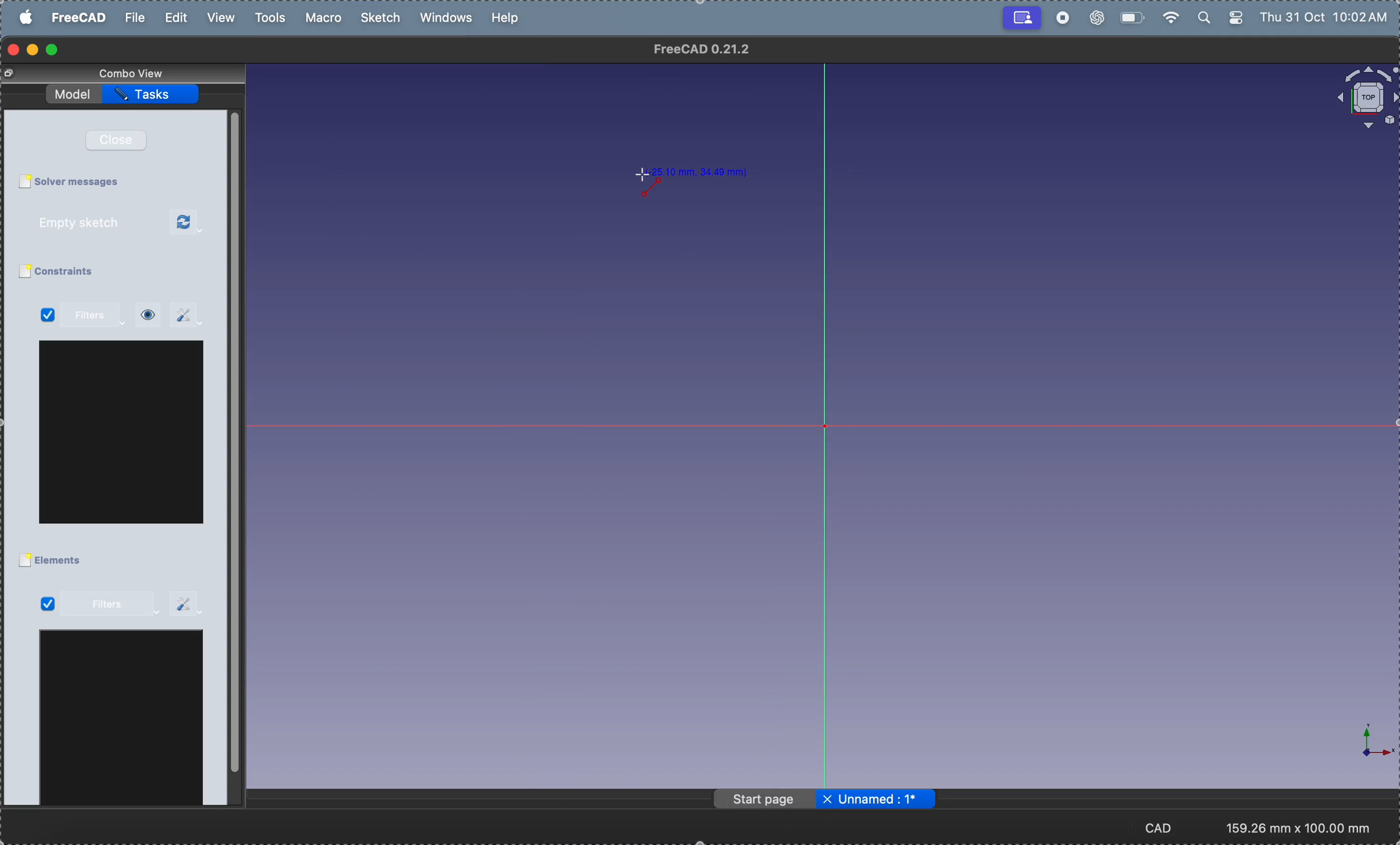 The image size is (1400, 845). What do you see at coordinates (1130, 16) in the screenshot?
I see `battery` at bounding box center [1130, 16].